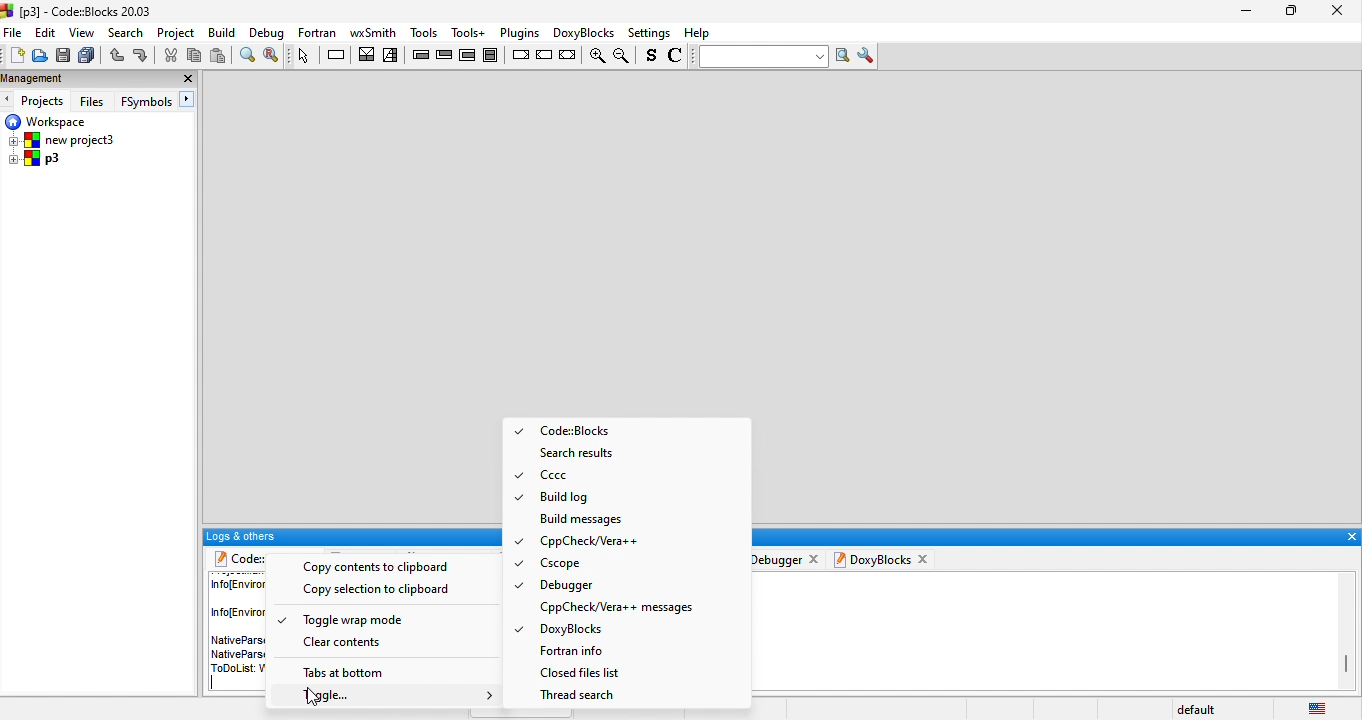 The height and width of the screenshot is (720, 1362). What do you see at coordinates (568, 497) in the screenshot?
I see `build log` at bounding box center [568, 497].